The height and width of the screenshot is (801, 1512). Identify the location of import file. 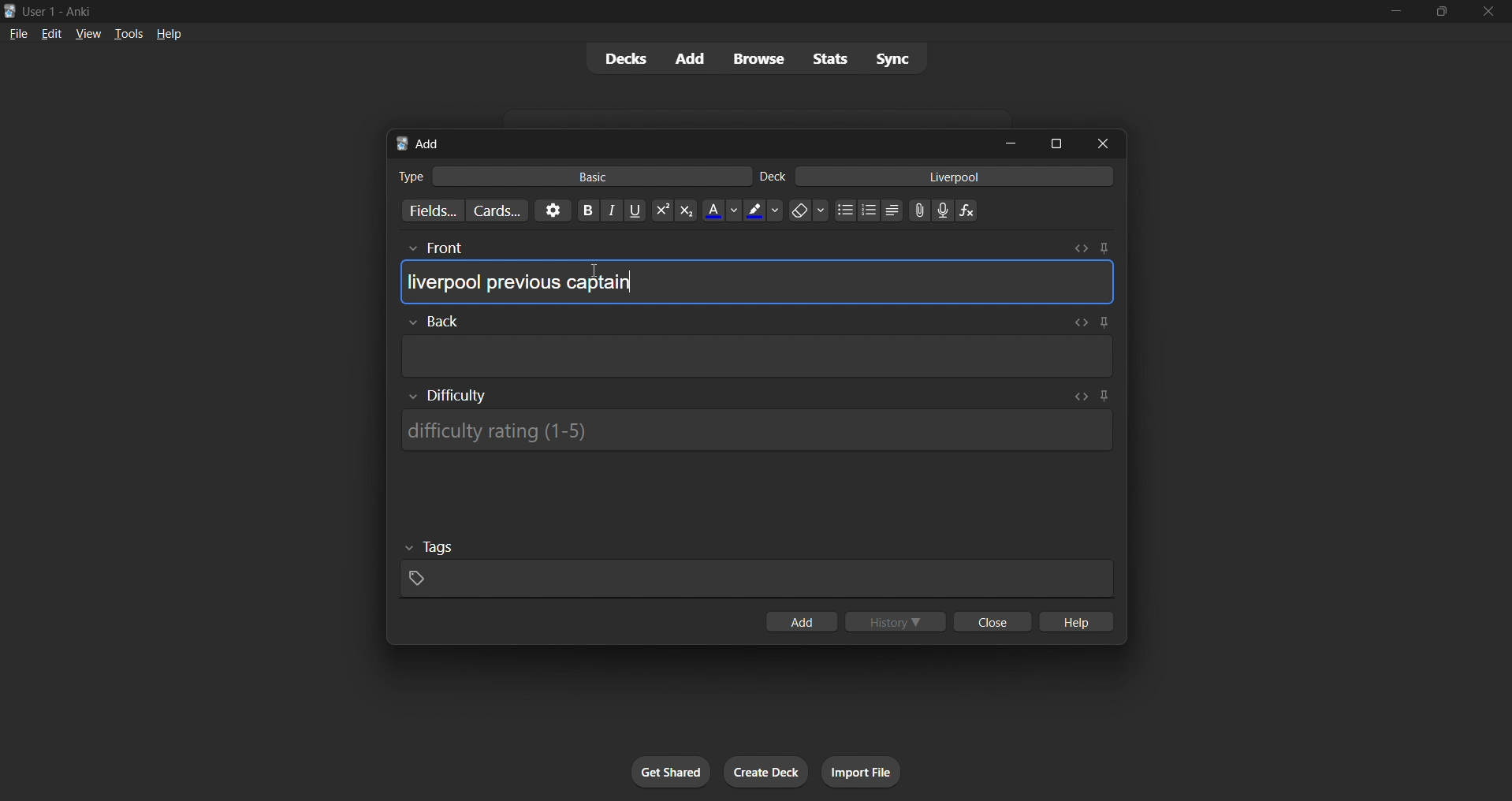
(867, 770).